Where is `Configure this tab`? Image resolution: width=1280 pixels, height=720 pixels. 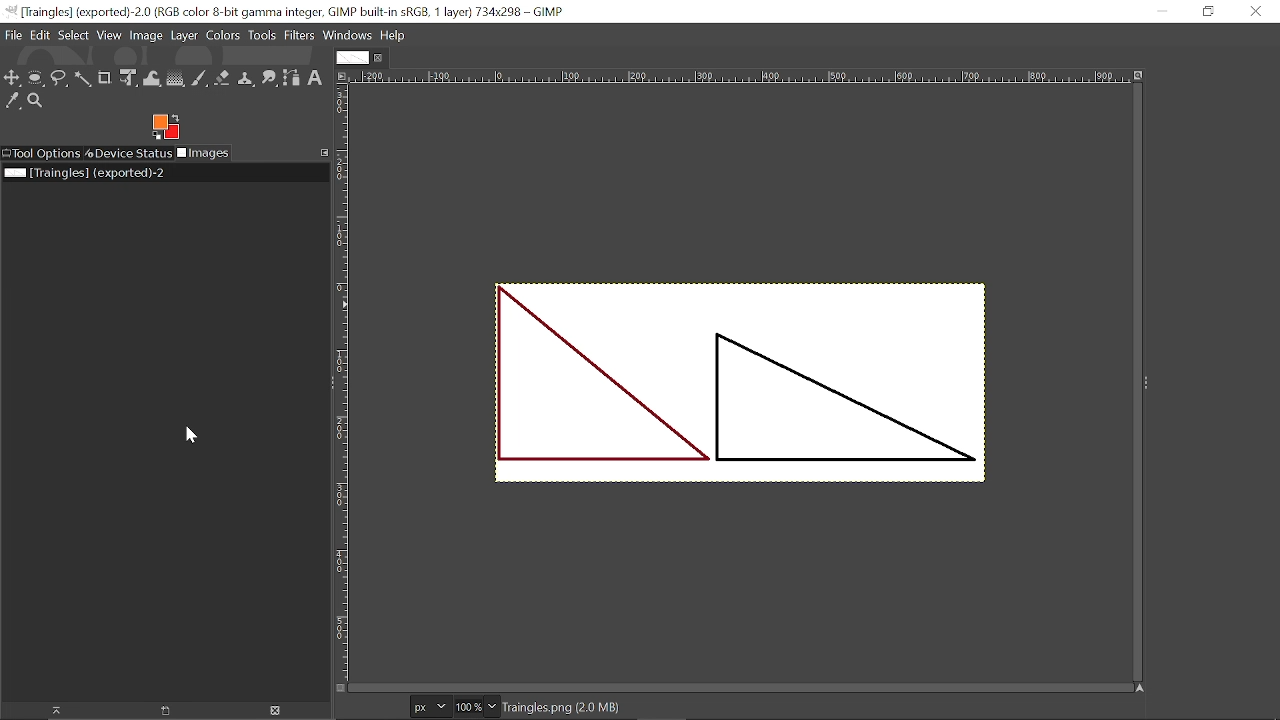 Configure this tab is located at coordinates (322, 152).